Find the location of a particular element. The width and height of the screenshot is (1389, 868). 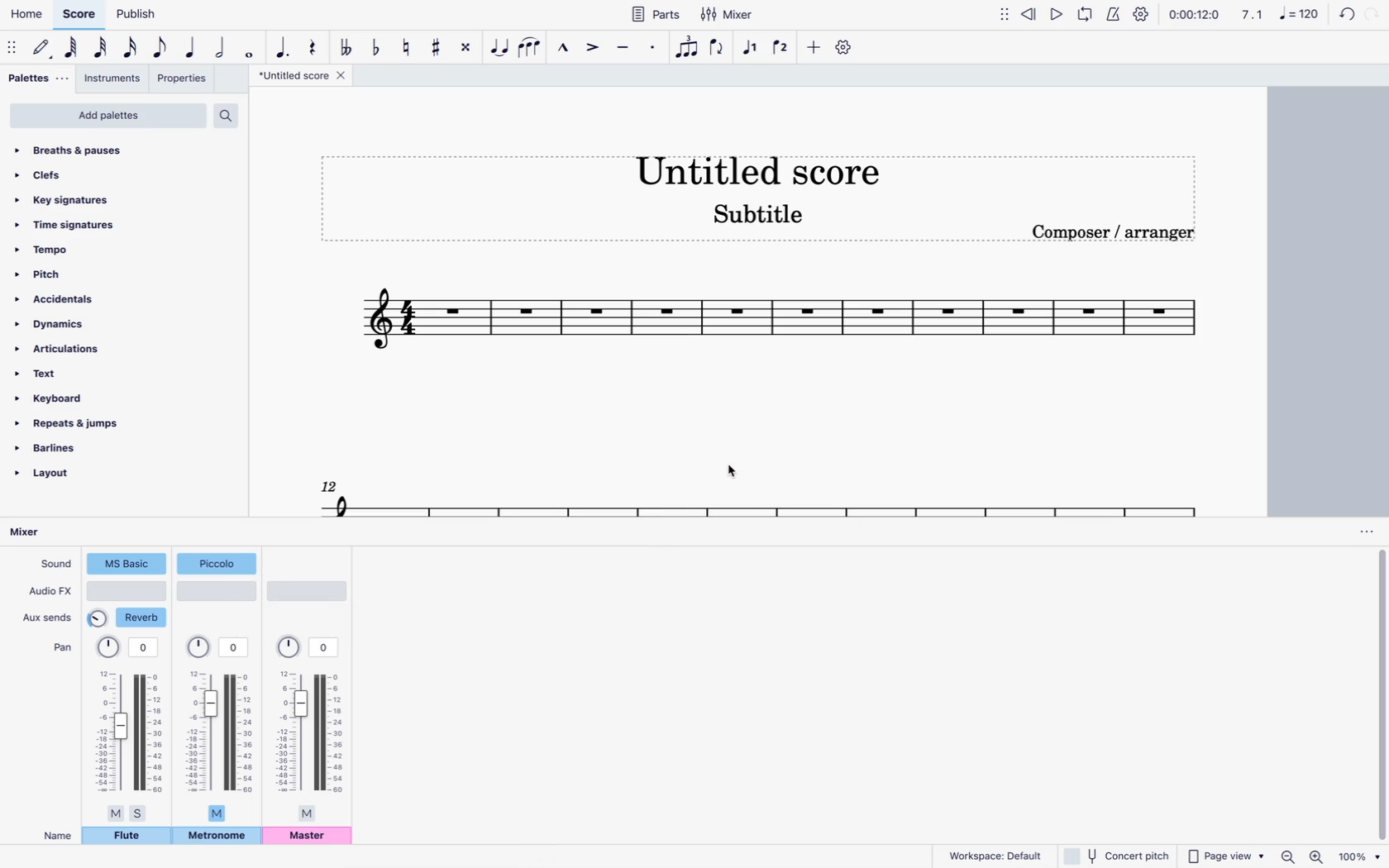

articulations is located at coordinates (80, 349).